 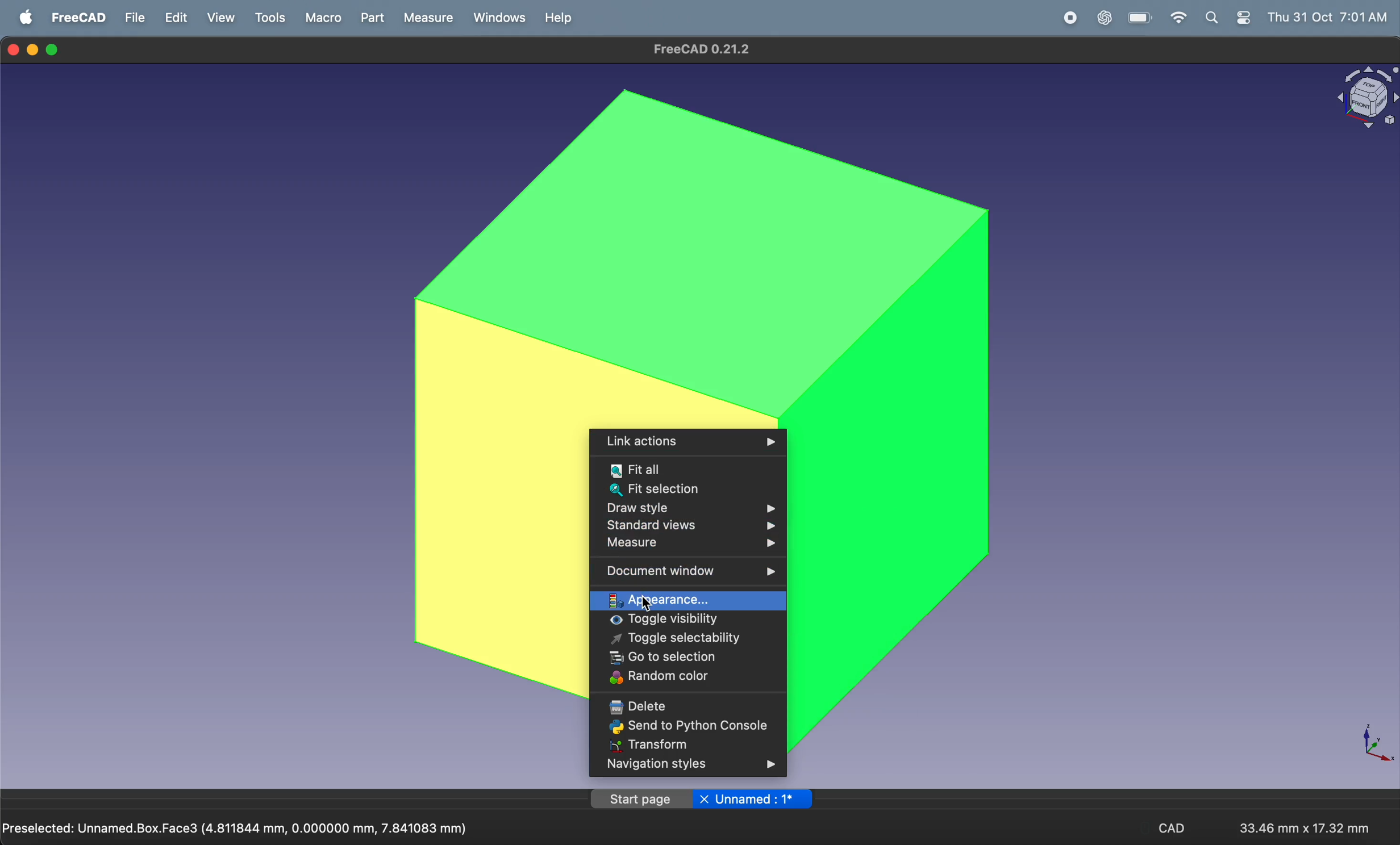 I want to click on document window, so click(x=689, y=569).